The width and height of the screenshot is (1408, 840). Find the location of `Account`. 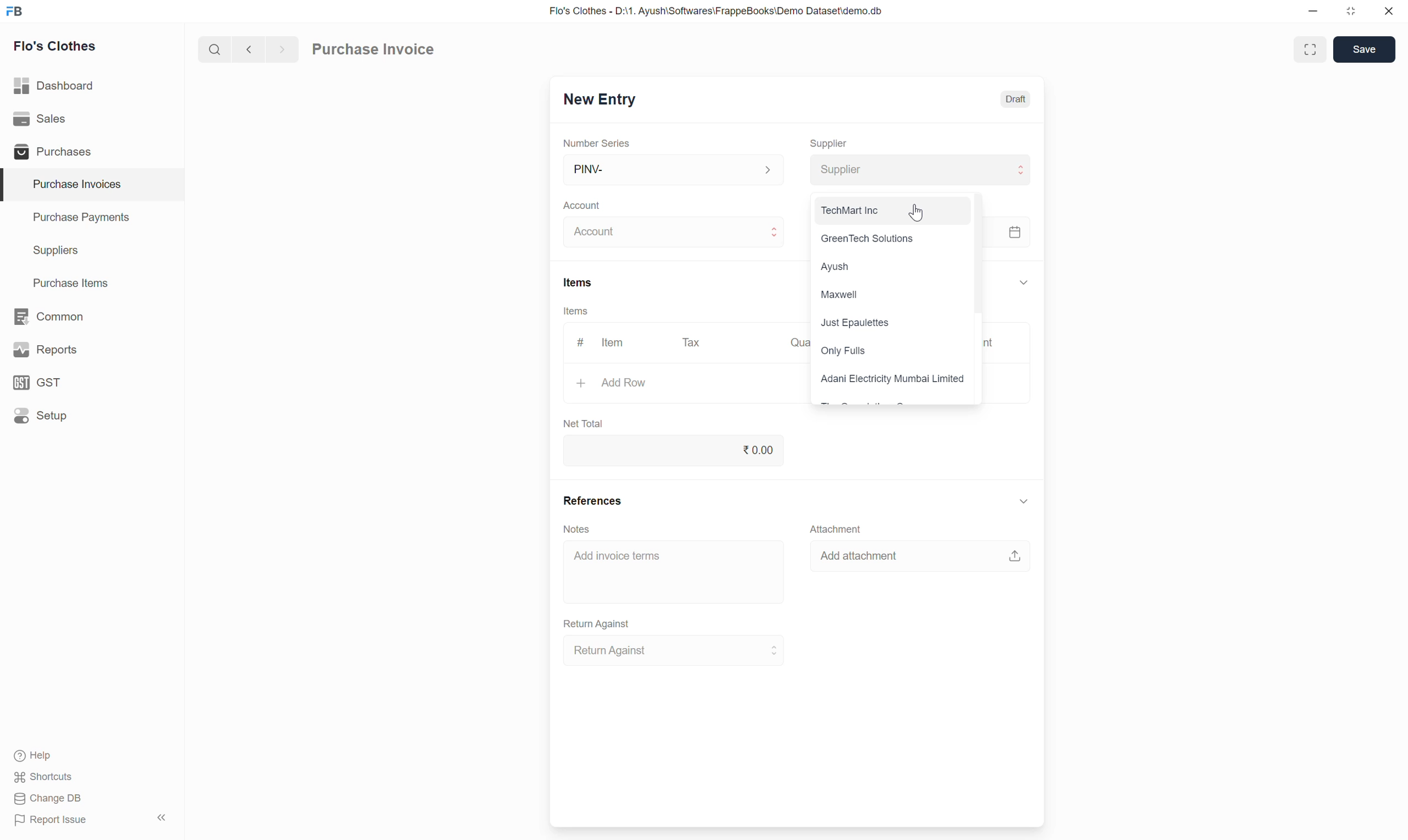

Account is located at coordinates (581, 206).